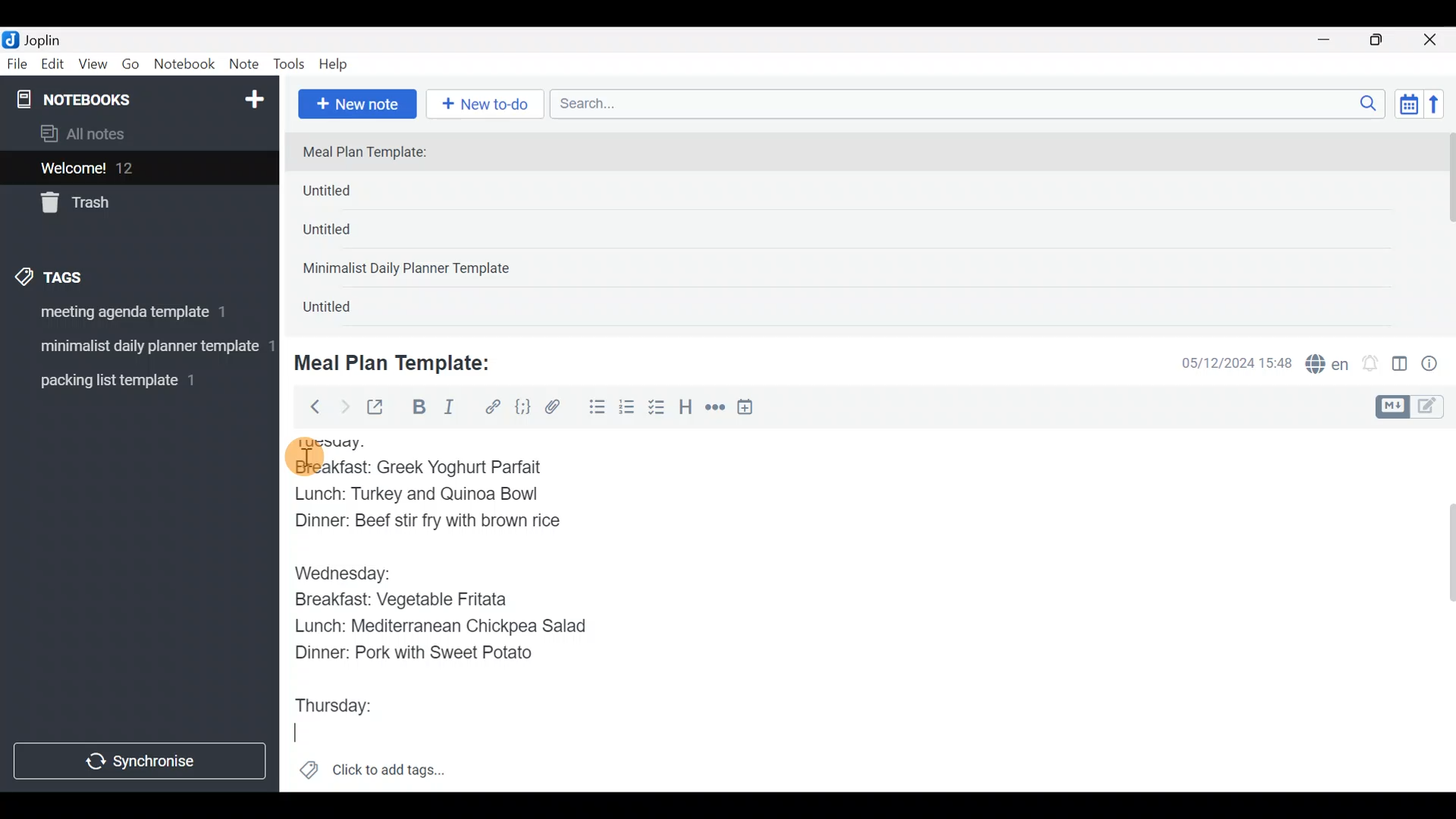  I want to click on cursor, so click(303, 457).